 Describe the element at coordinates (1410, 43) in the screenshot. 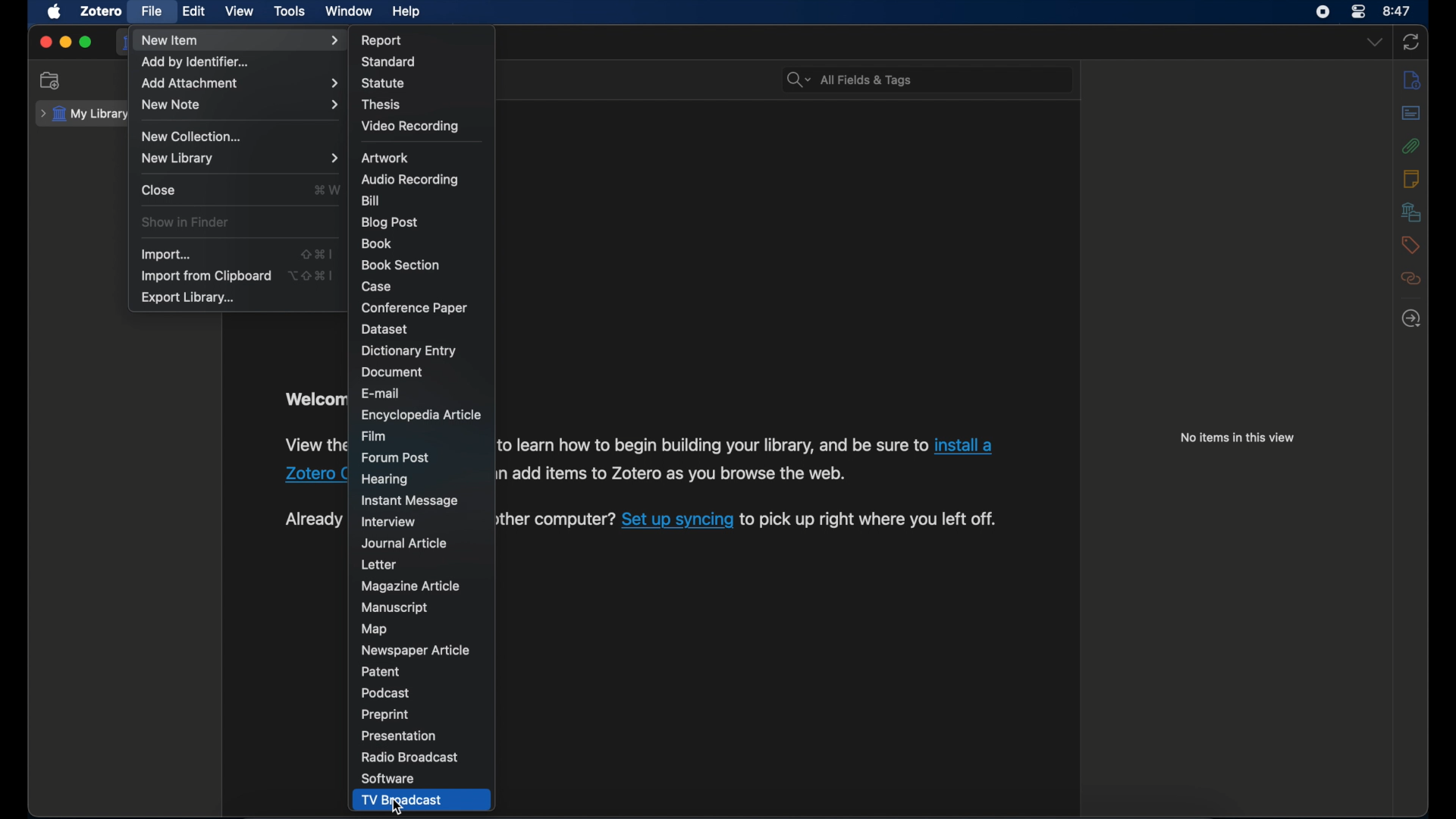

I see `sync` at that location.